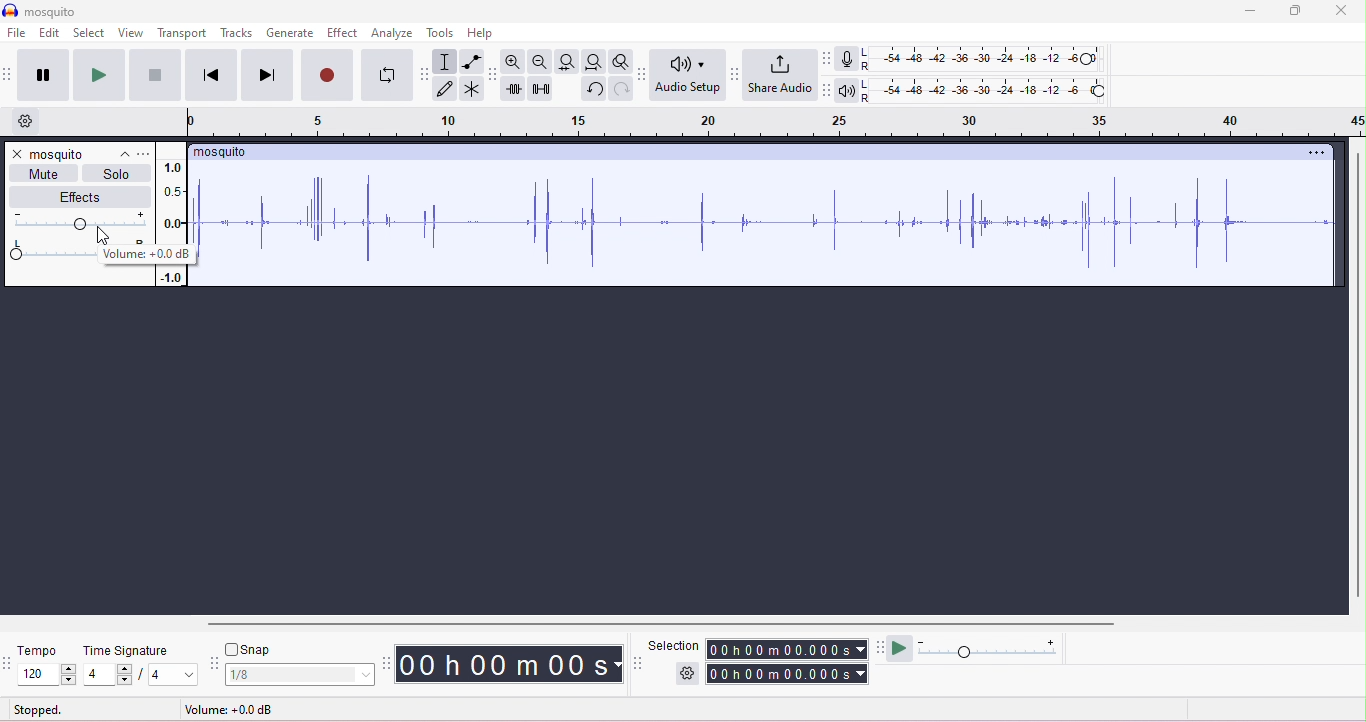 The image size is (1366, 722). I want to click on edit tool bar, so click(493, 75).